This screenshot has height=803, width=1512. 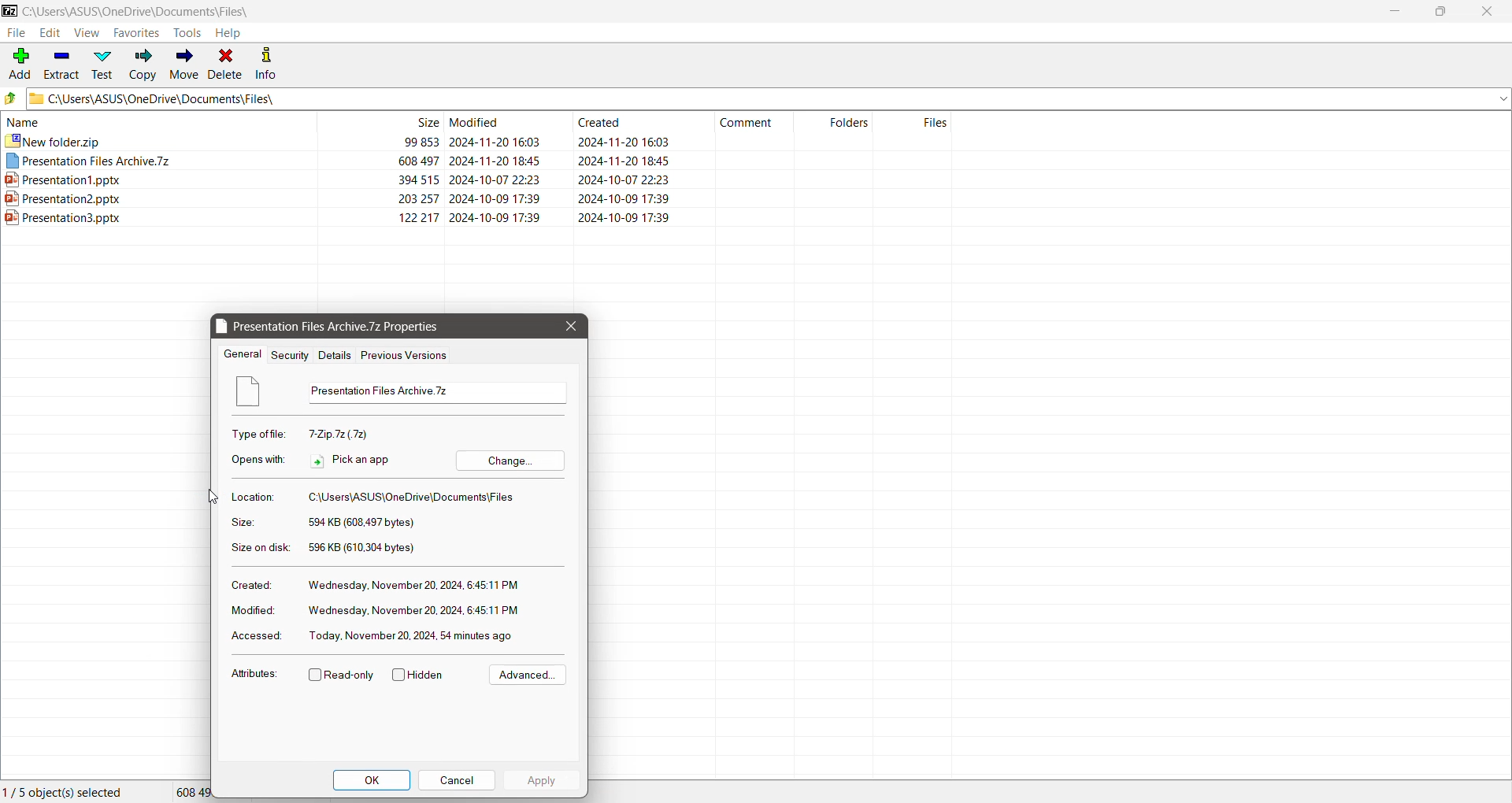 I want to click on Current Folder Path, so click(x=139, y=10).